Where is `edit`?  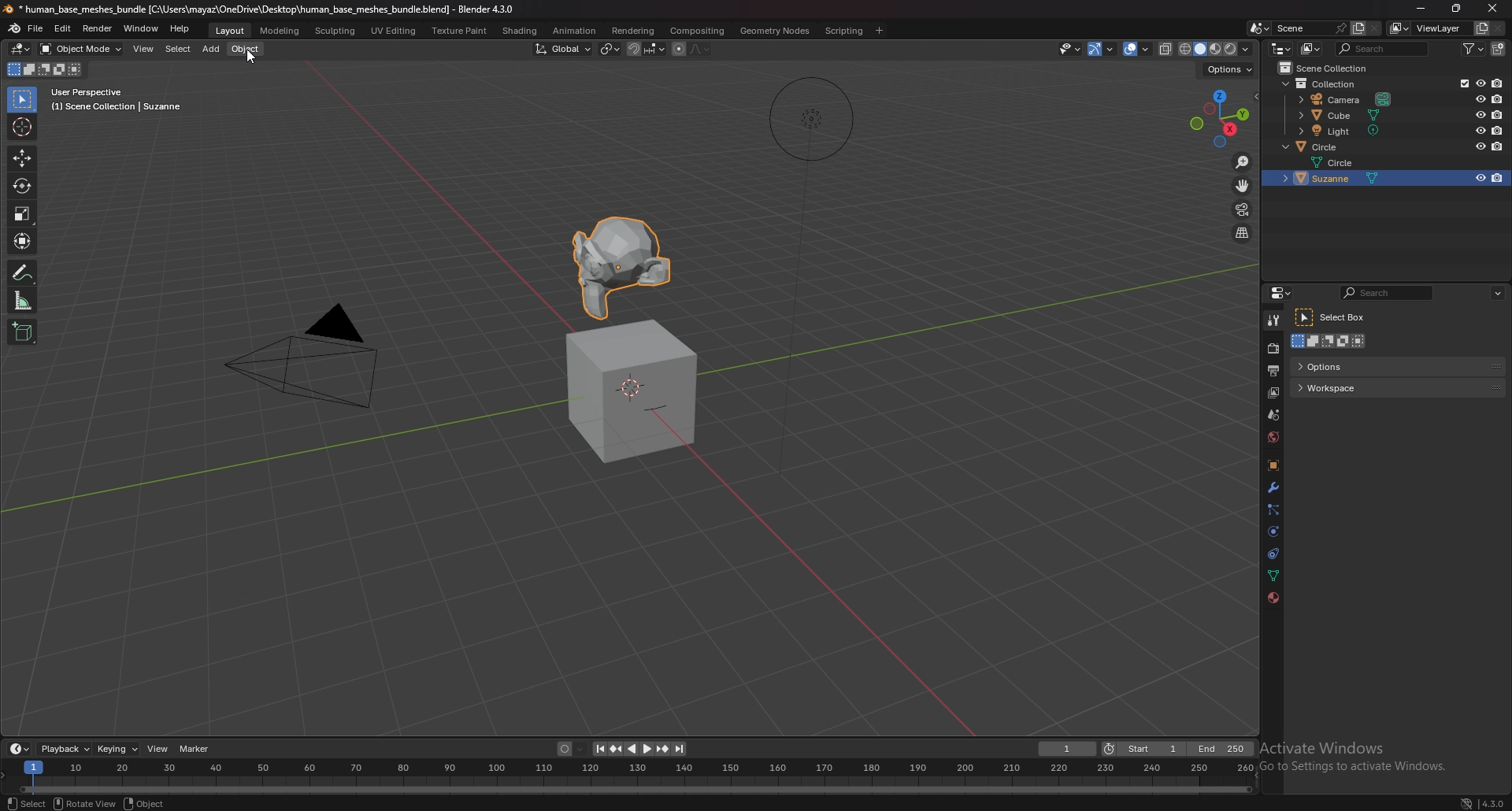 edit is located at coordinates (62, 28).